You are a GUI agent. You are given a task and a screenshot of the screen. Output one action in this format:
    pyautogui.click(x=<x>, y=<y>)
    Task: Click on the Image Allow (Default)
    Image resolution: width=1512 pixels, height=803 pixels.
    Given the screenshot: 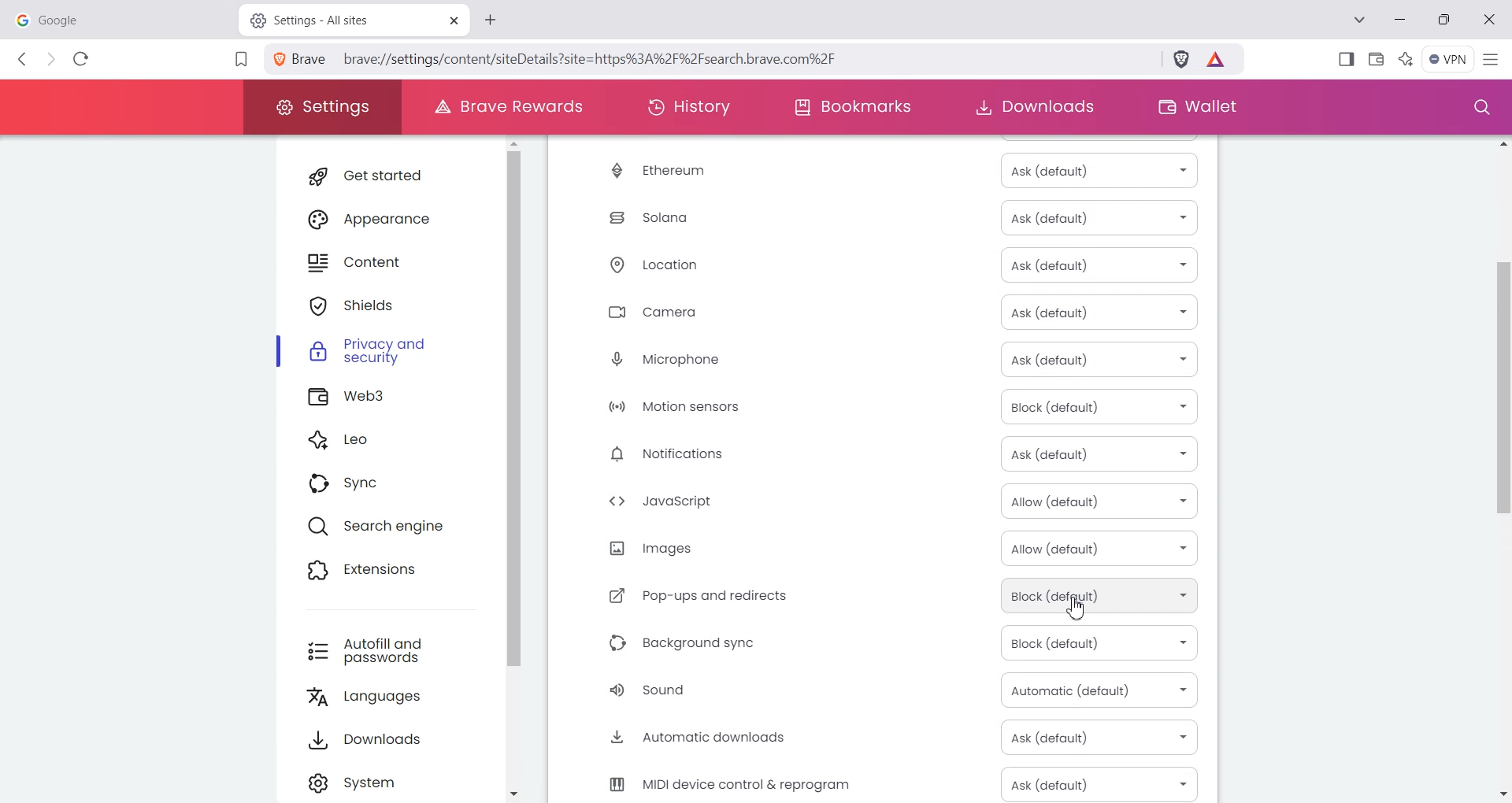 What is the action you would take?
    pyautogui.click(x=886, y=549)
    